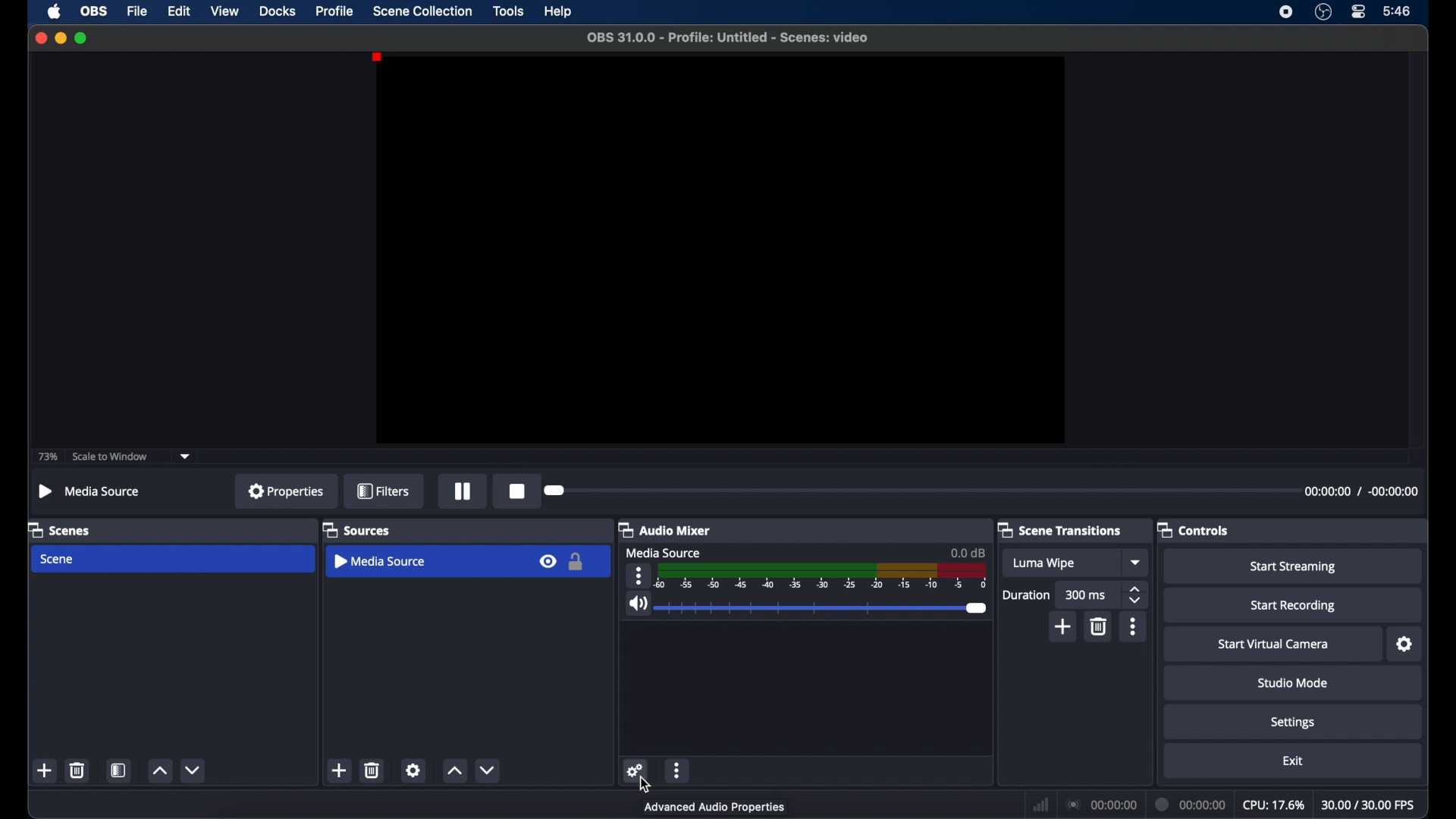 This screenshot has width=1456, height=819. Describe the element at coordinates (1087, 595) in the screenshot. I see `300 ms` at that location.